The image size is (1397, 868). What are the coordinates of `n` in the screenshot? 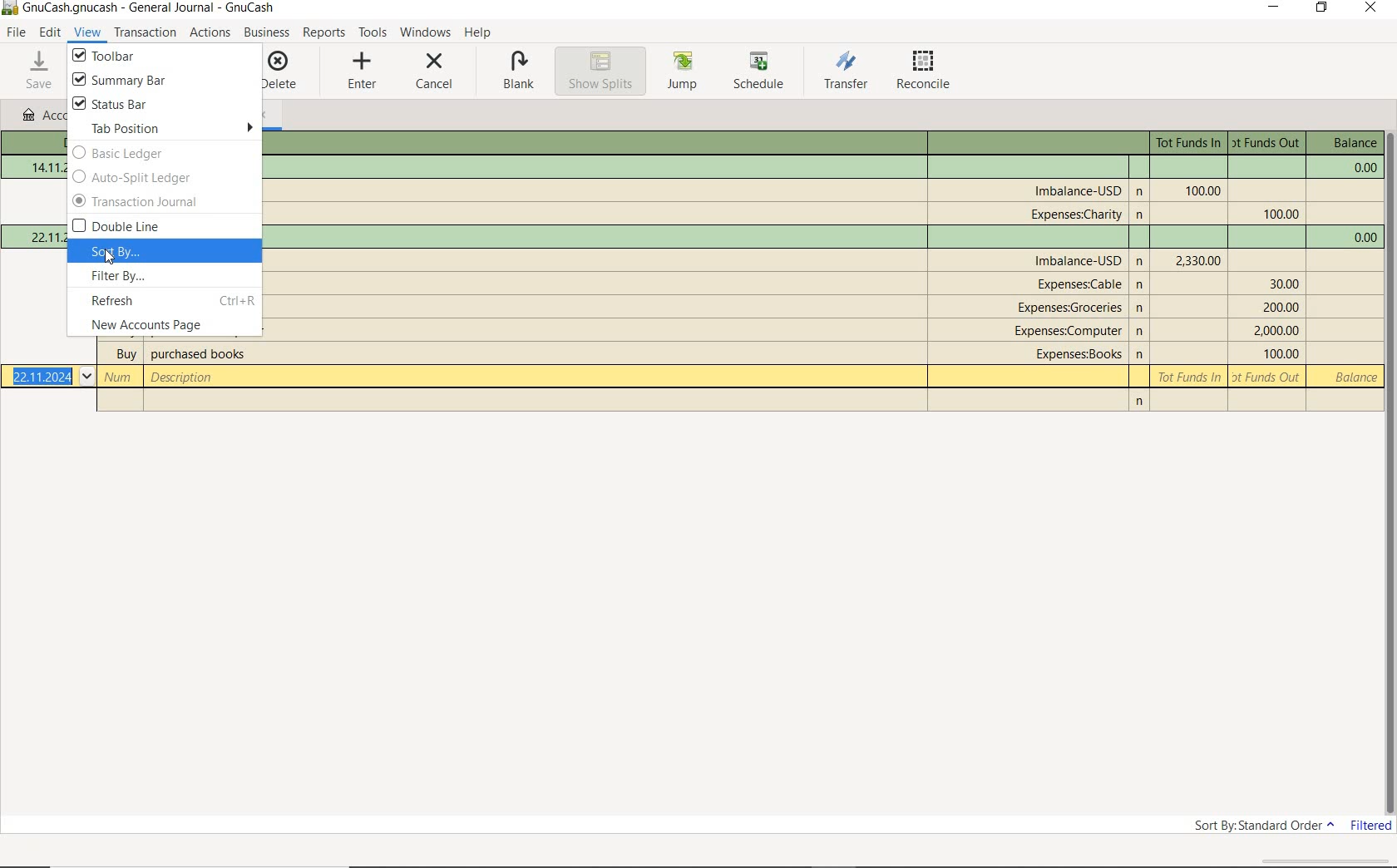 It's located at (1142, 216).